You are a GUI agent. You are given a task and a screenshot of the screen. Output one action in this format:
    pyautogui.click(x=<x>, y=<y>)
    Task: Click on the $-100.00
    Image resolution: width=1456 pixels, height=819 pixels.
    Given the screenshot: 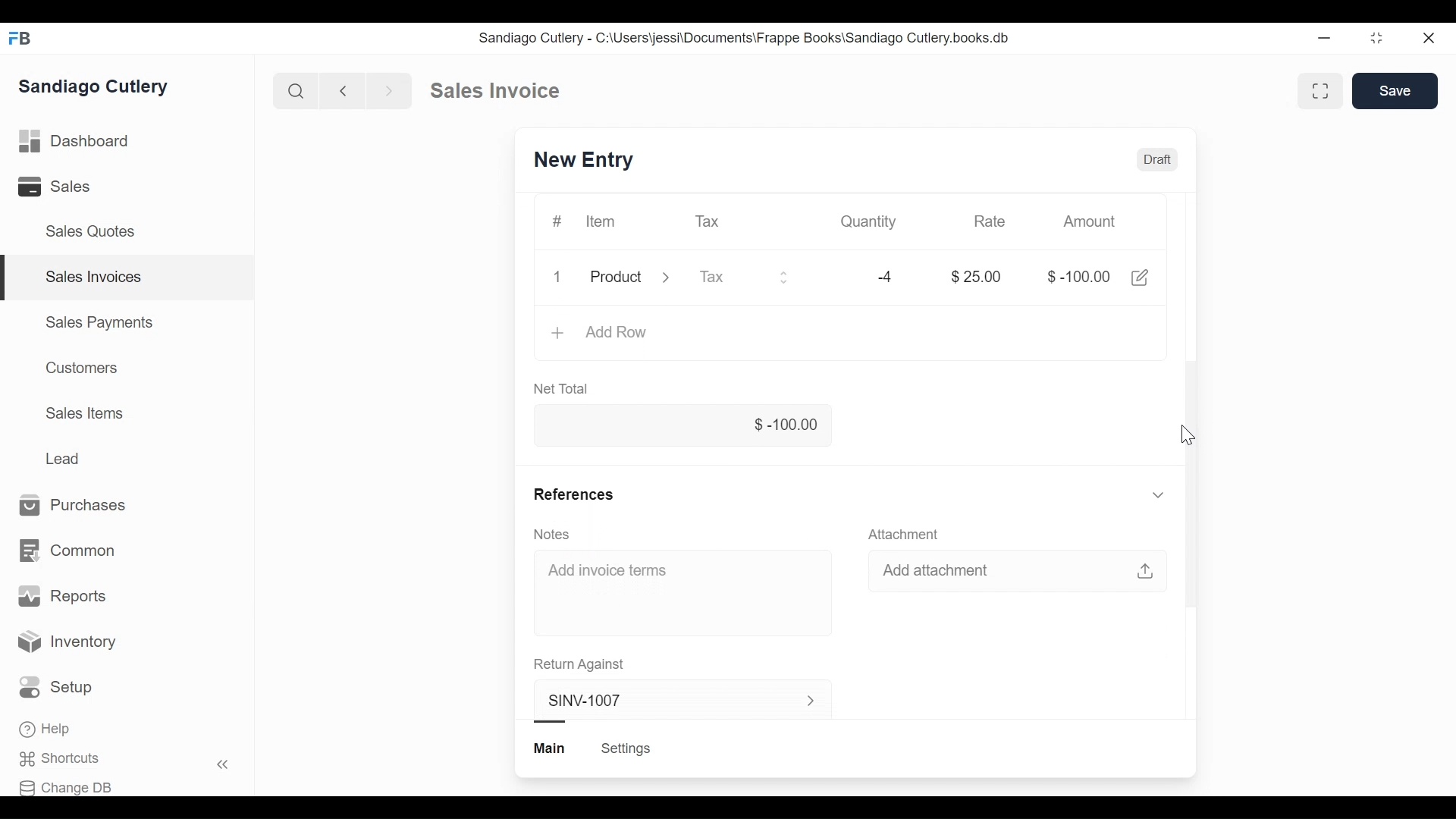 What is the action you would take?
    pyautogui.click(x=1077, y=276)
    